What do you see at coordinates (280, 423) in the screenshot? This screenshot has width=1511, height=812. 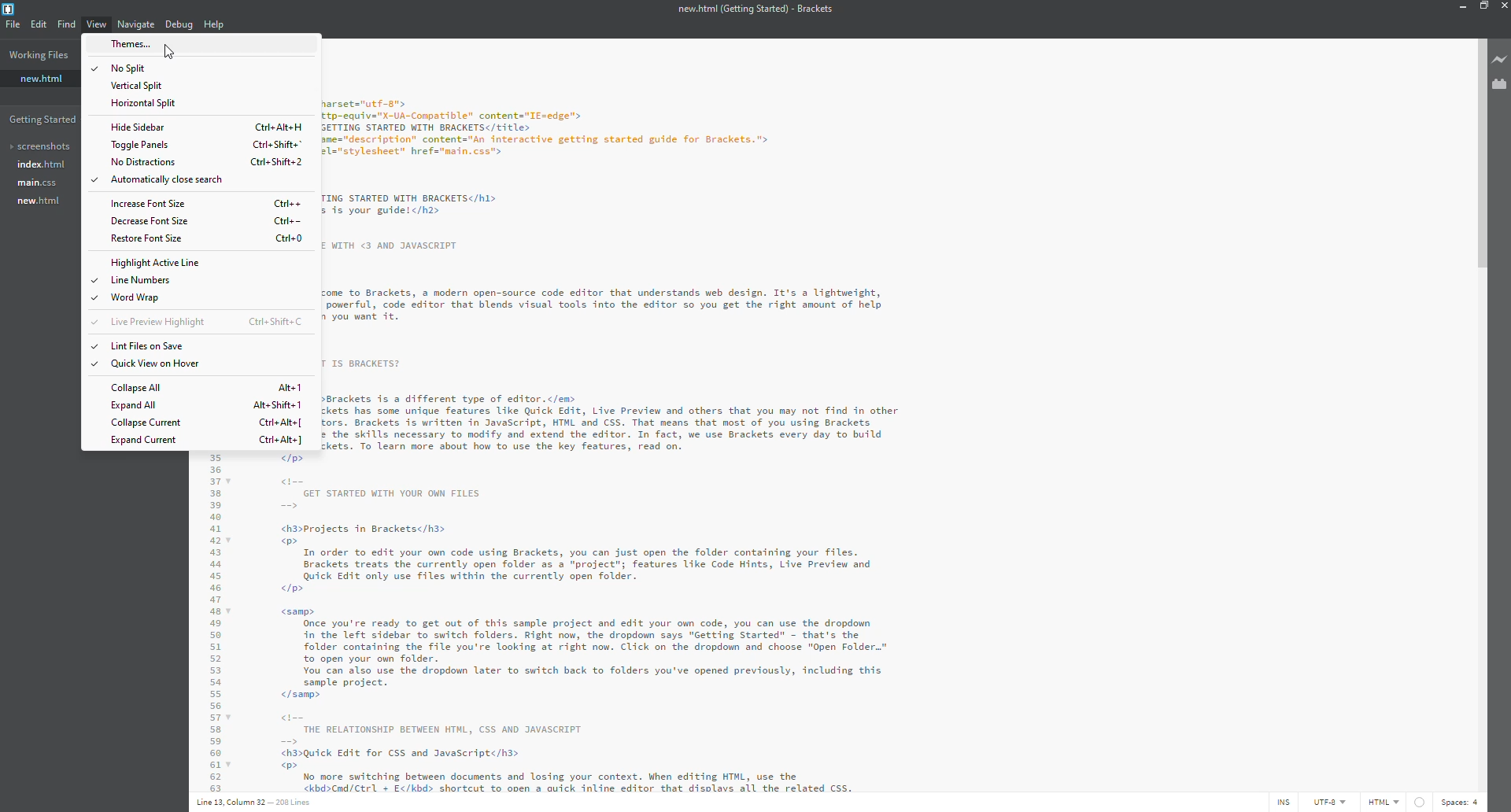 I see `shortcut` at bounding box center [280, 423].